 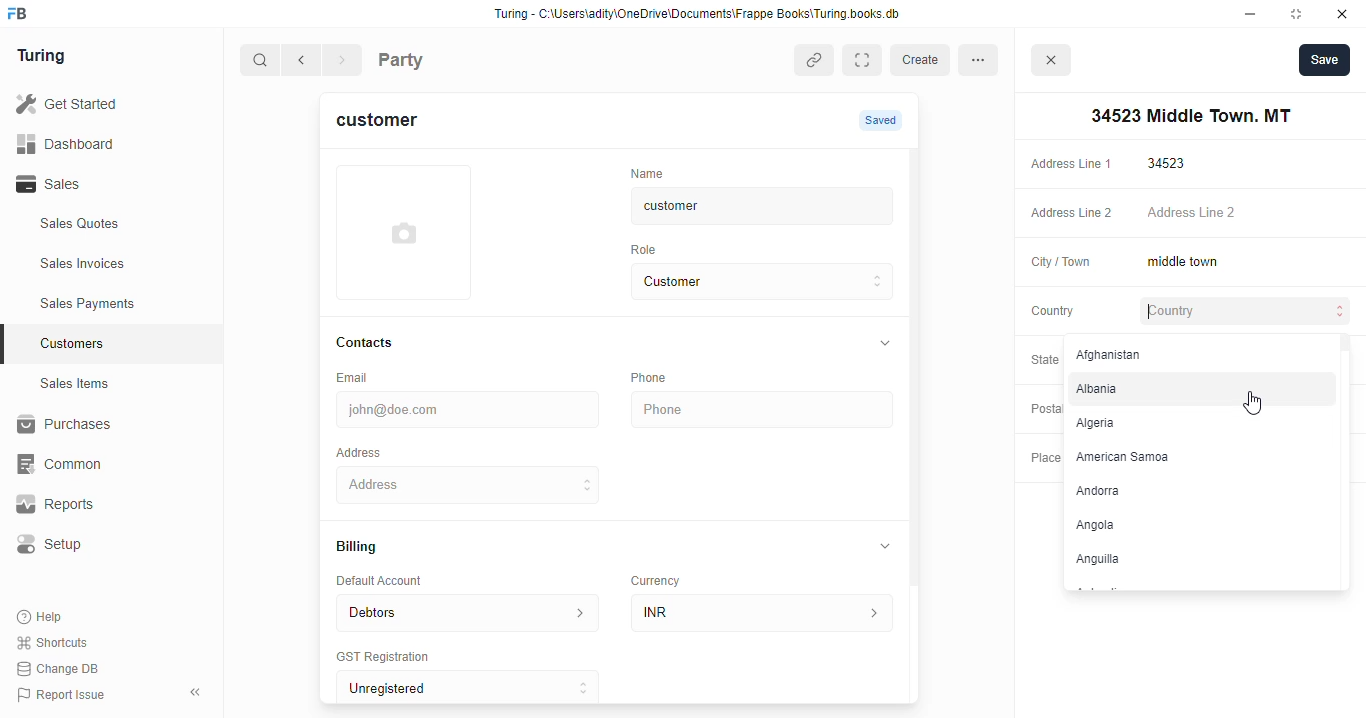 I want to click on Address Line 2, so click(x=1248, y=214).